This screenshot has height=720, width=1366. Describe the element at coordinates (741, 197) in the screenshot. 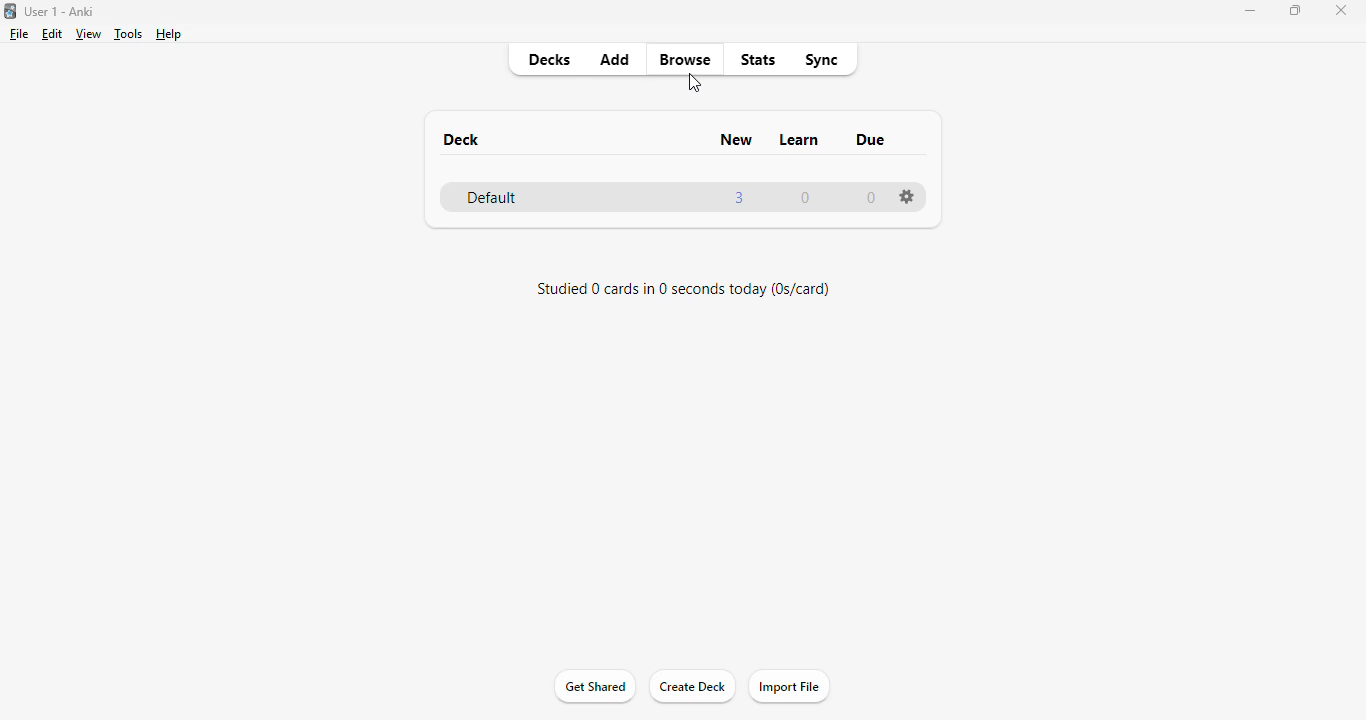

I see `3` at that location.